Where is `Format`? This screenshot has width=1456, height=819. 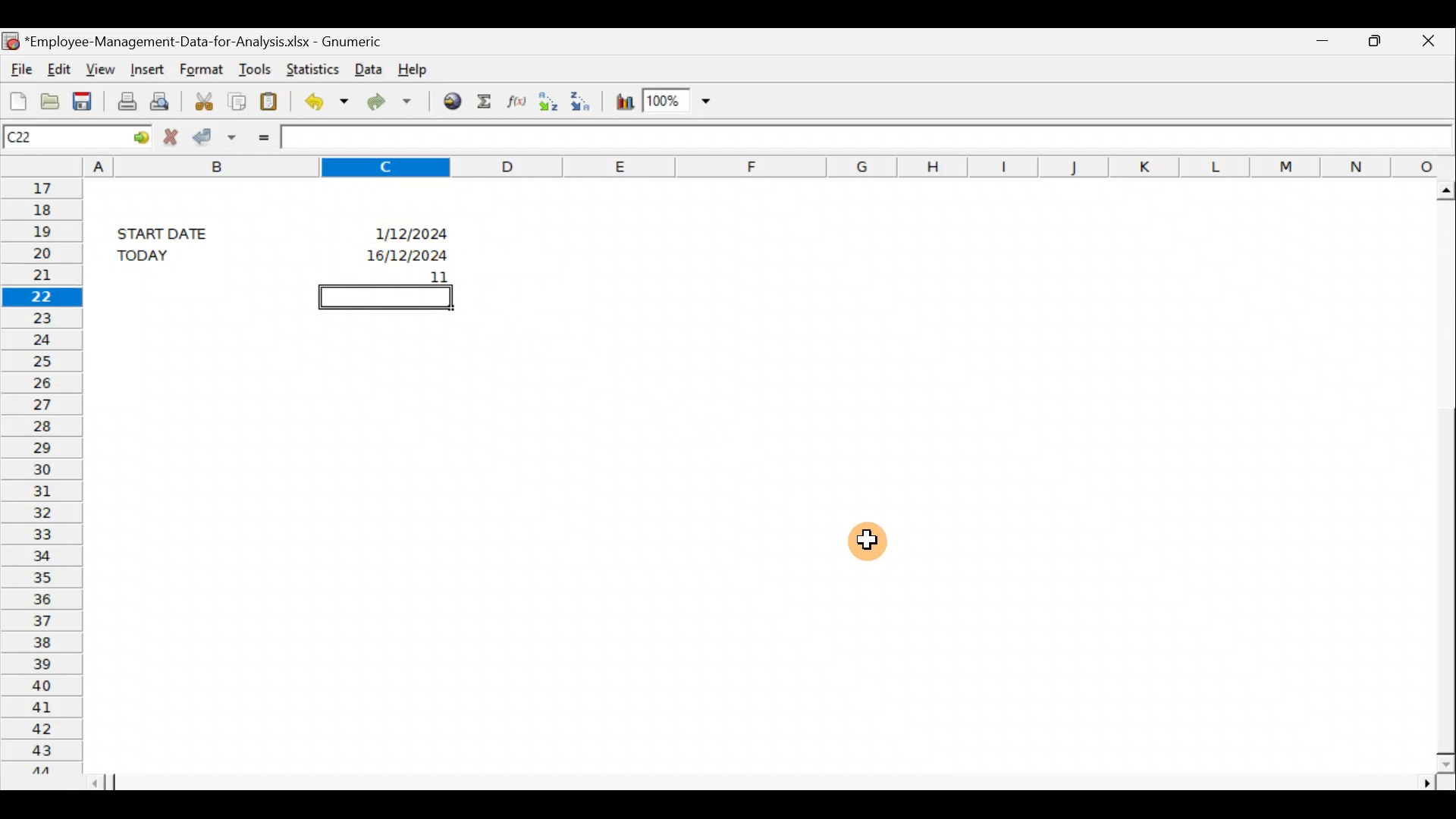 Format is located at coordinates (203, 67).